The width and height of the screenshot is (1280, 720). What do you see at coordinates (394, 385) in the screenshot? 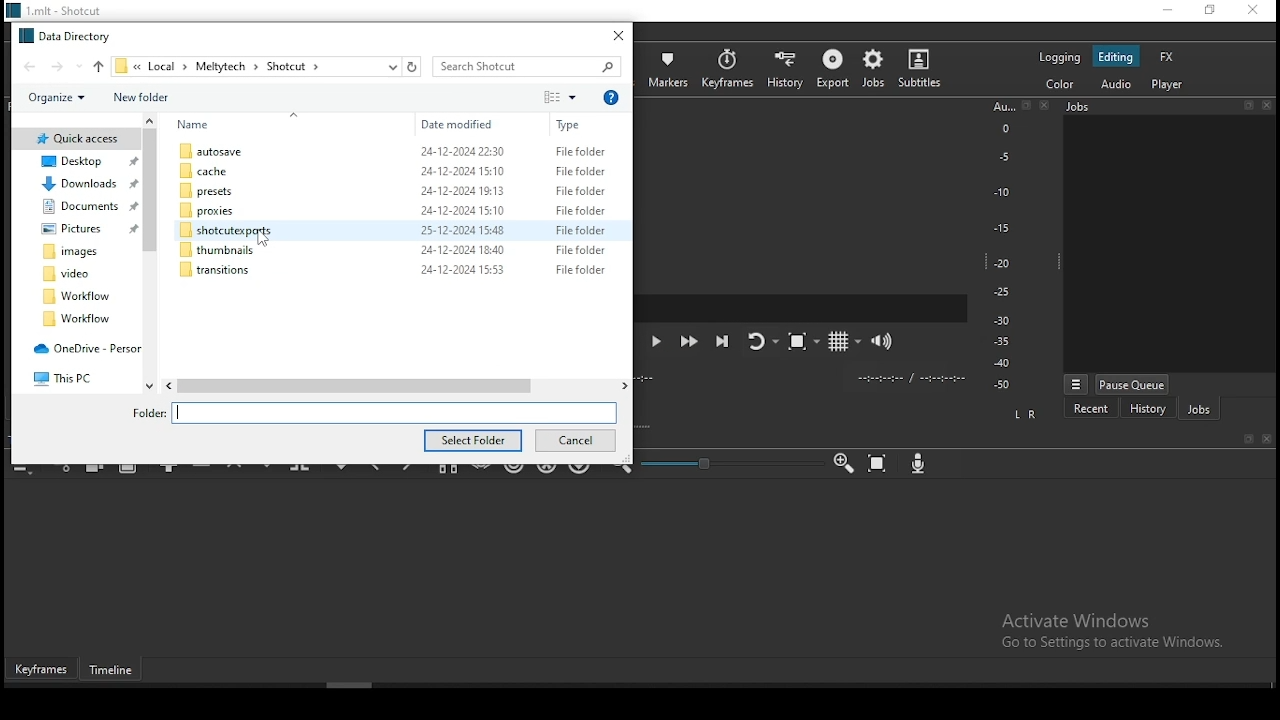
I see `scroll bar` at bounding box center [394, 385].